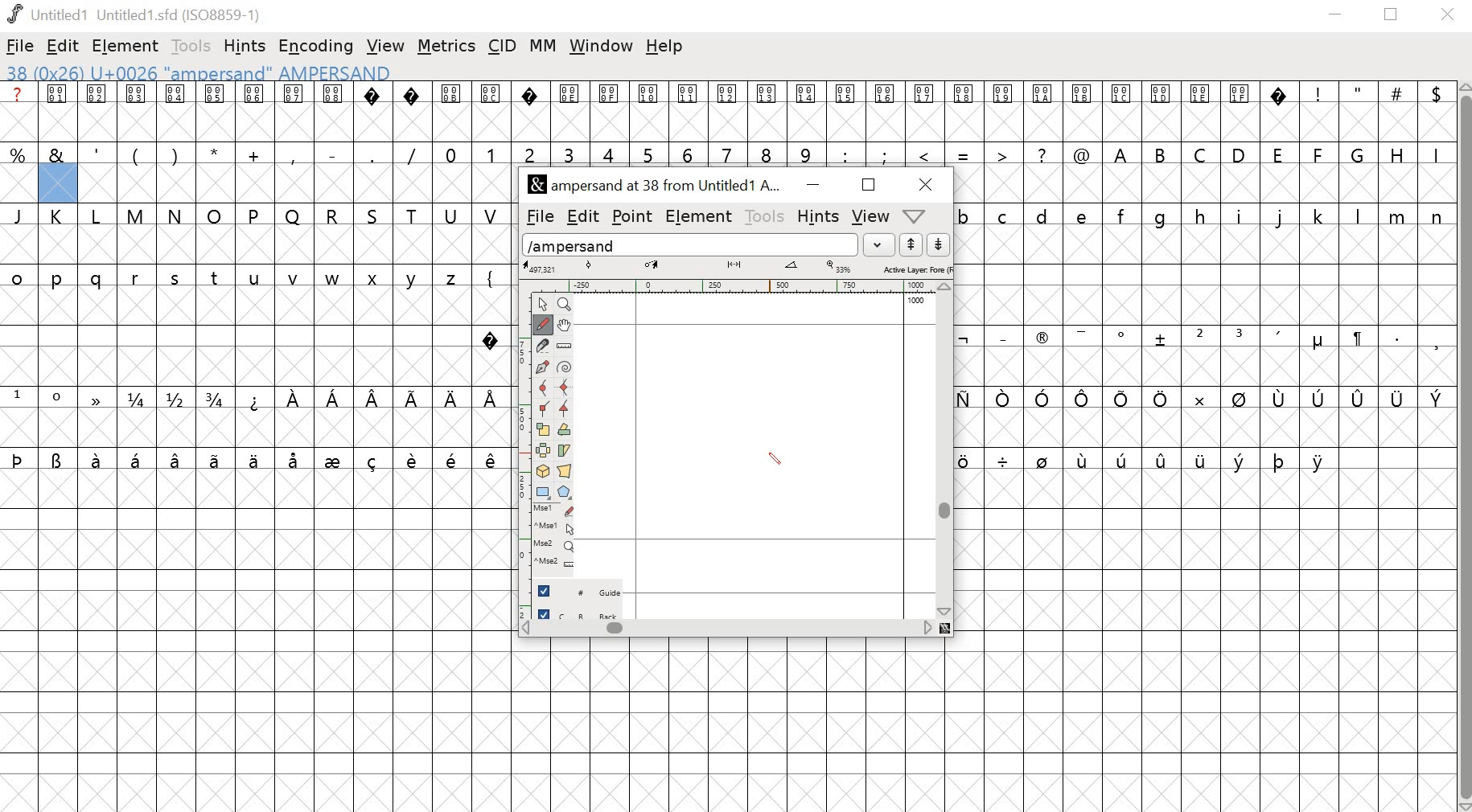  Describe the element at coordinates (1241, 336) in the screenshot. I see `3` at that location.